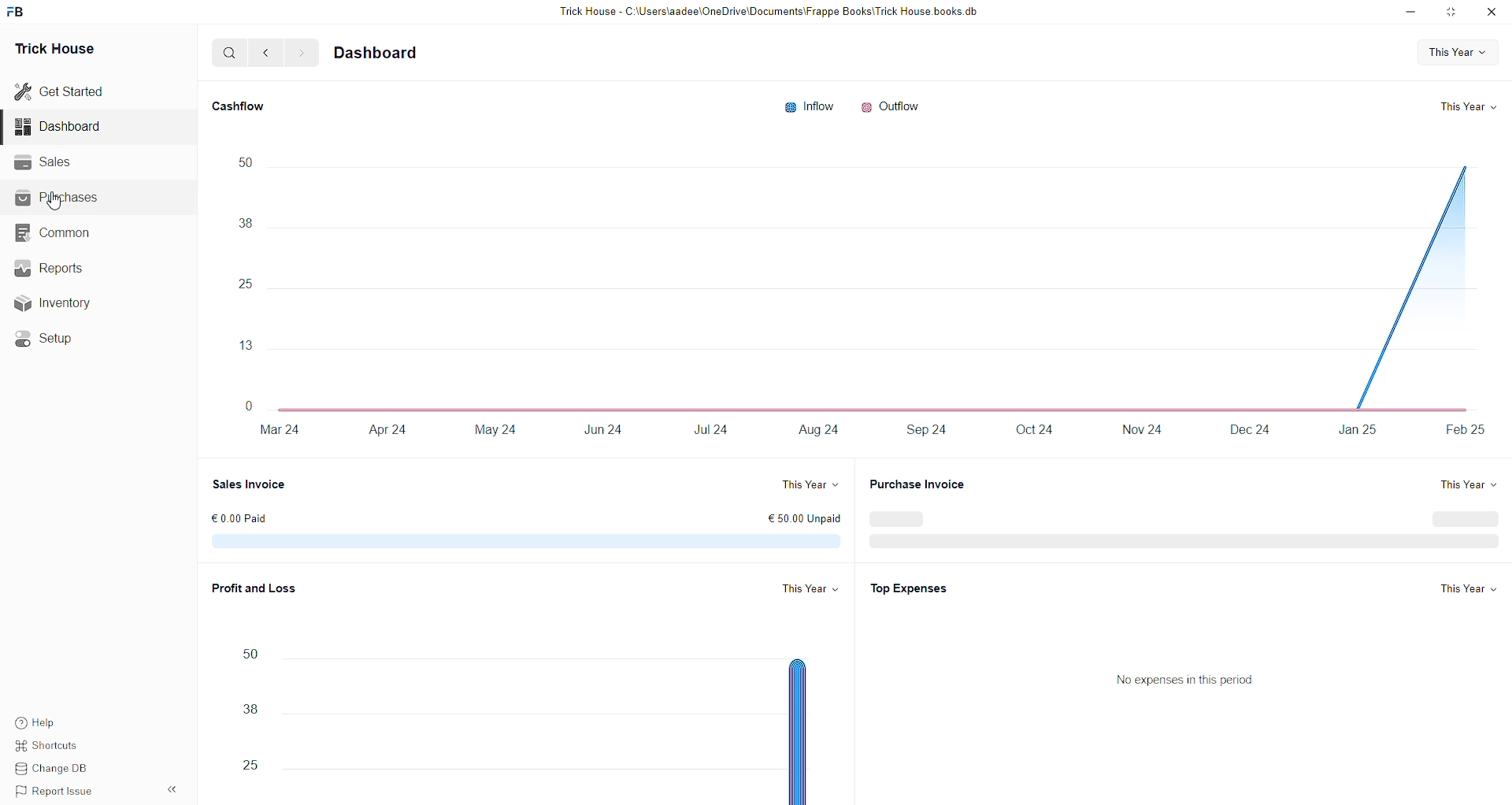 The width and height of the screenshot is (1512, 805). I want to click on Trick House, so click(57, 46).